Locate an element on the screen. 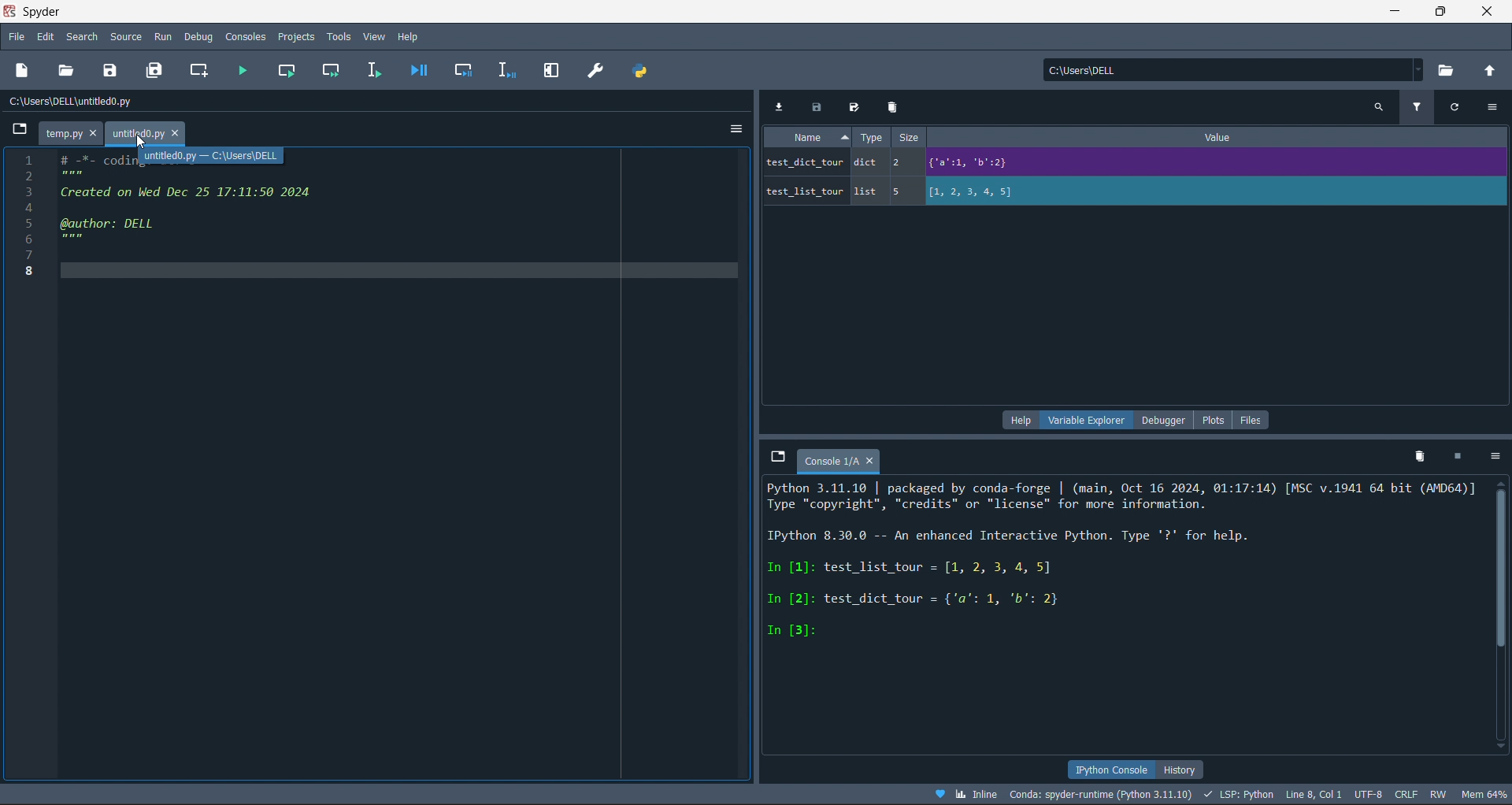  consoles is located at coordinates (243, 36).